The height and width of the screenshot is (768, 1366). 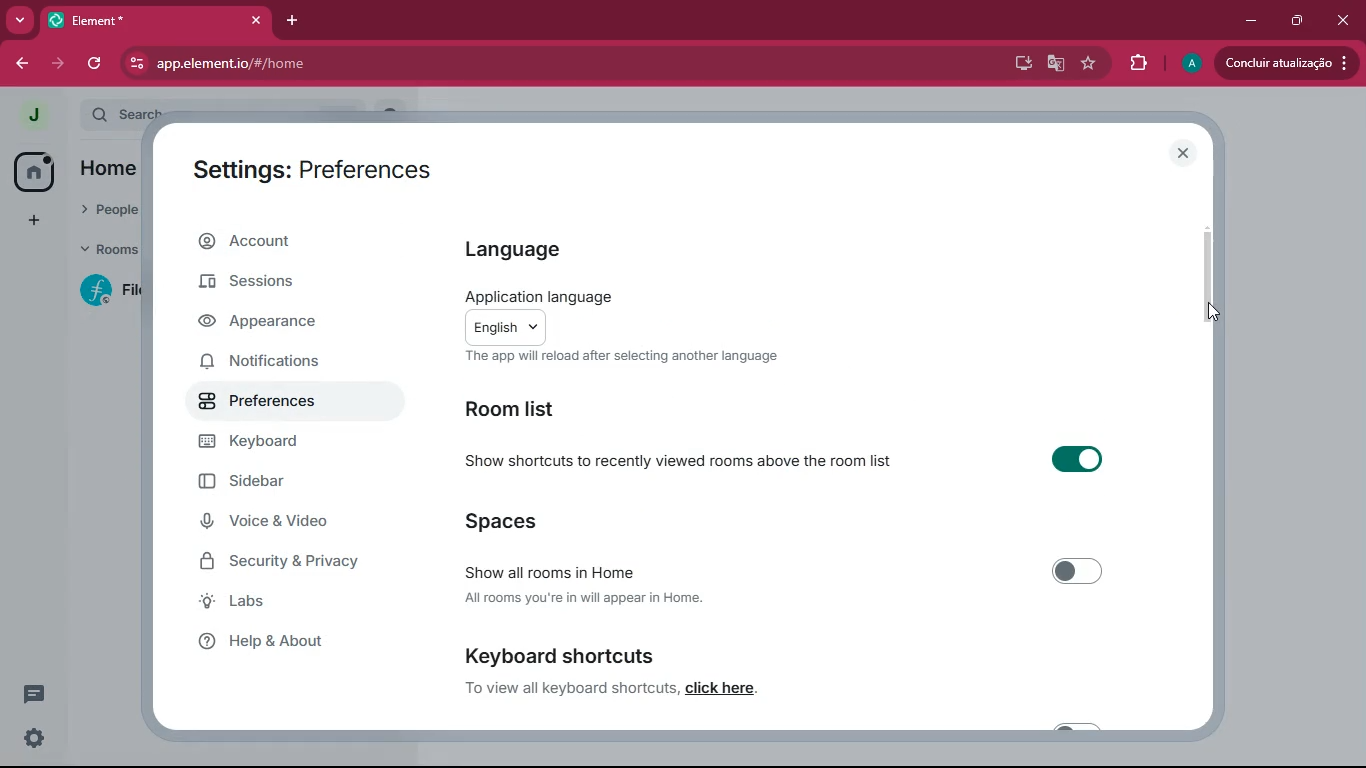 What do you see at coordinates (1055, 64) in the screenshot?
I see `google translate` at bounding box center [1055, 64].